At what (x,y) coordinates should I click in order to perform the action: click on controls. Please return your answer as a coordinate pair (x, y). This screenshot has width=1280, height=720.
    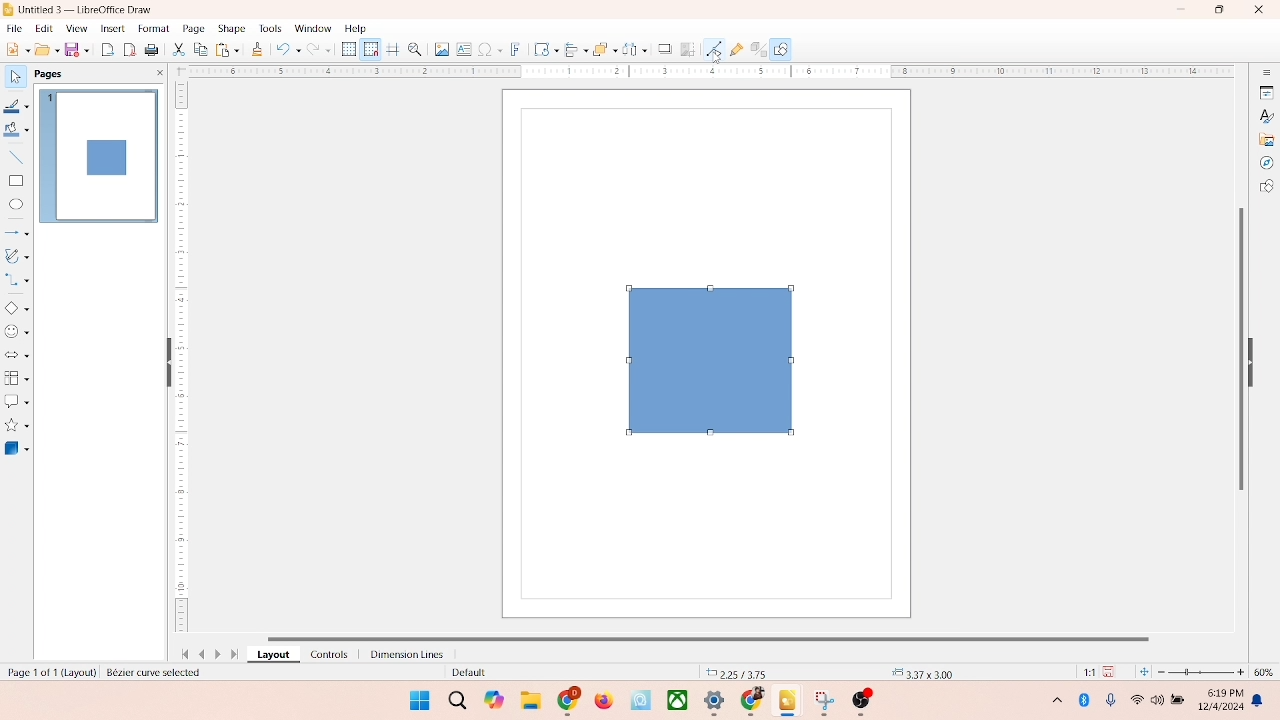
    Looking at the image, I should click on (324, 654).